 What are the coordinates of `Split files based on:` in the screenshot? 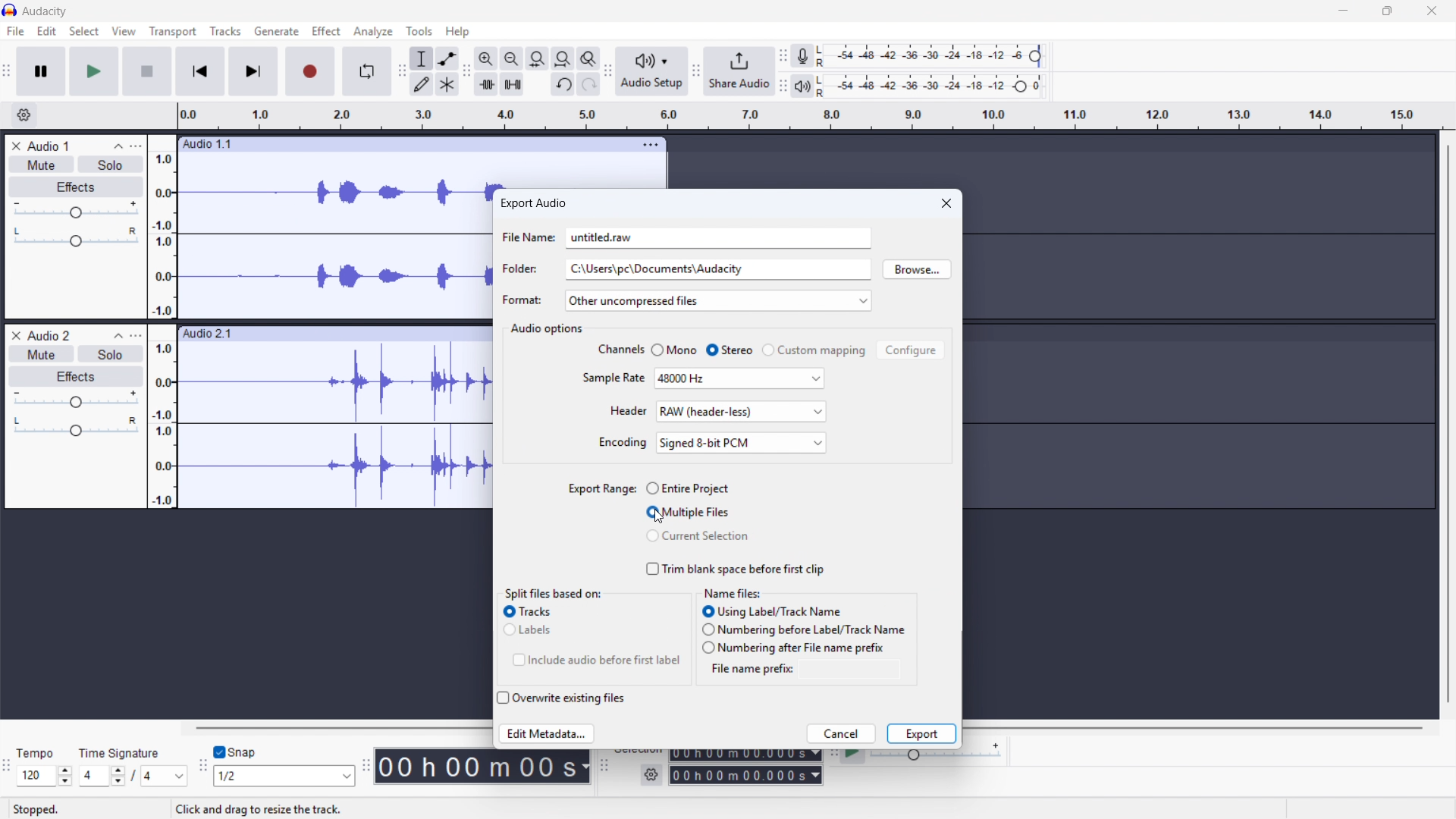 It's located at (553, 592).